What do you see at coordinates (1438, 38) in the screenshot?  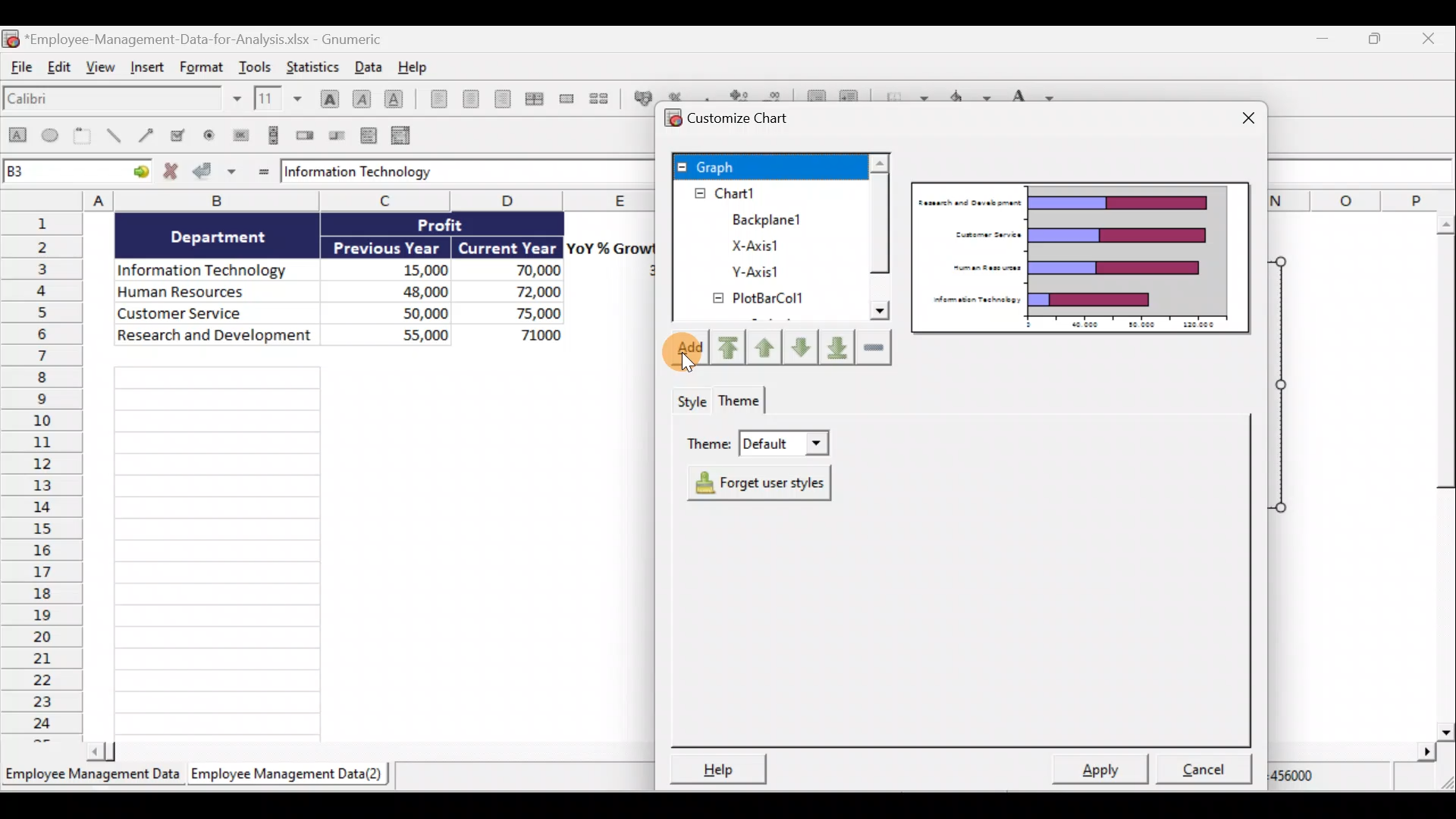 I see `Close` at bounding box center [1438, 38].